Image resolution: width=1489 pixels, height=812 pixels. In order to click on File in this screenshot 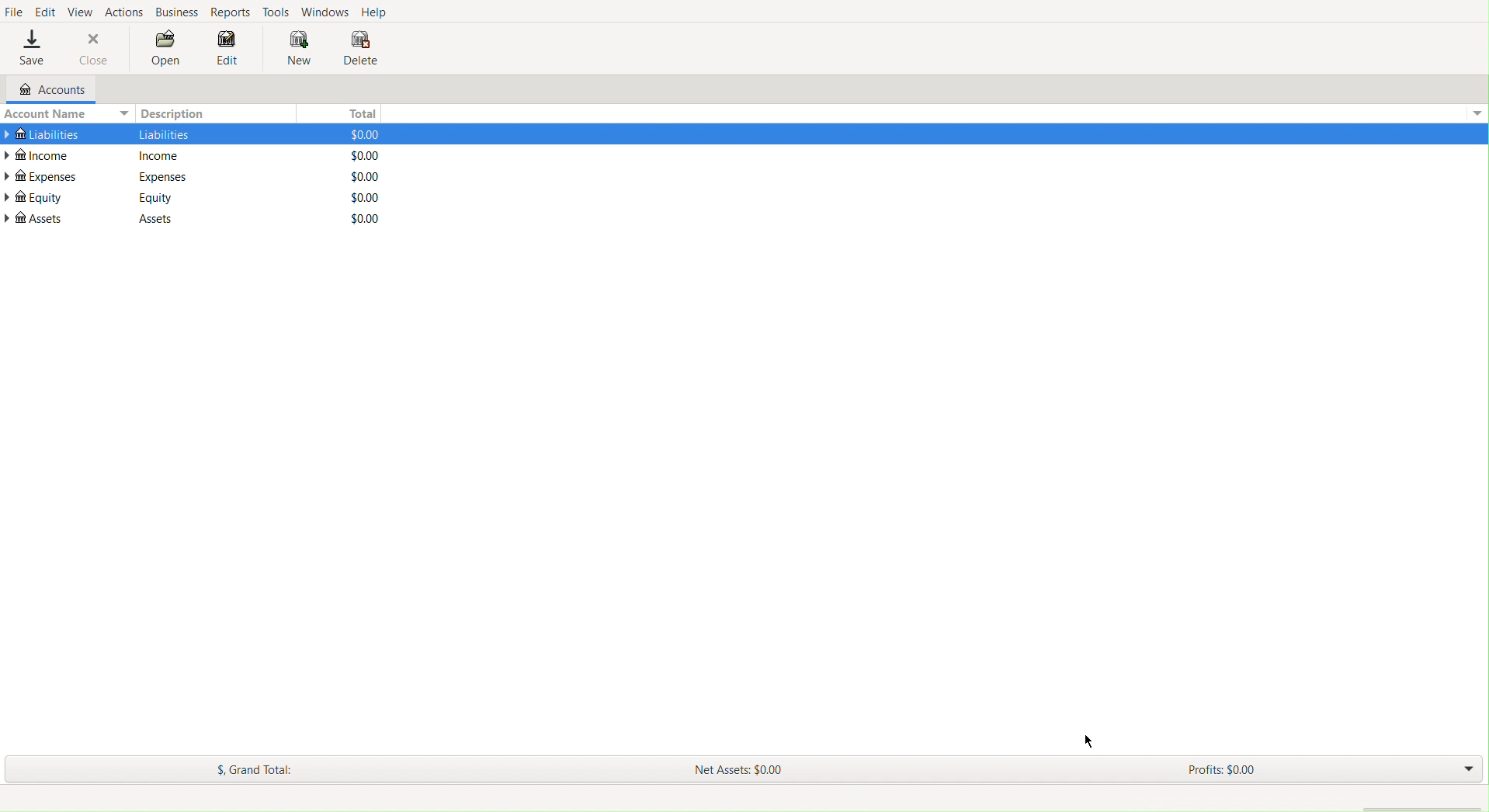, I will do `click(14, 12)`.